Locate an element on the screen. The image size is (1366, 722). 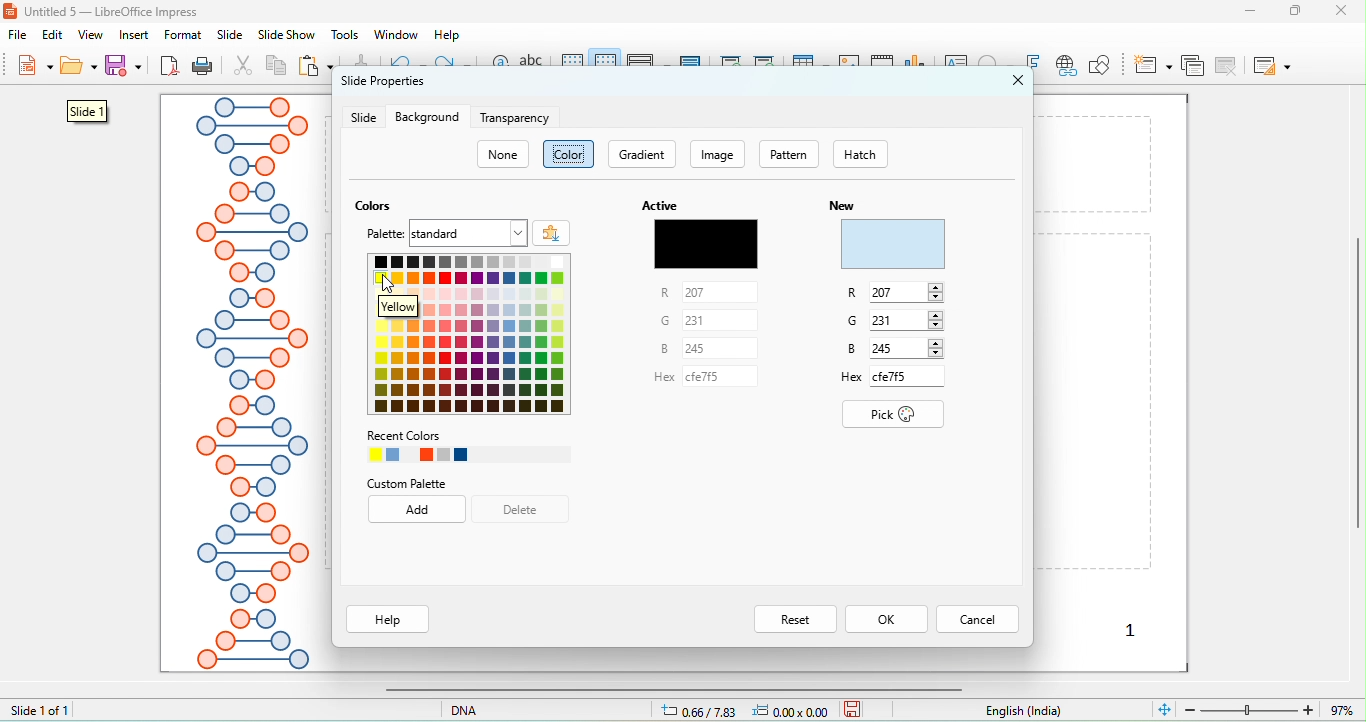
redo is located at coordinates (453, 65).